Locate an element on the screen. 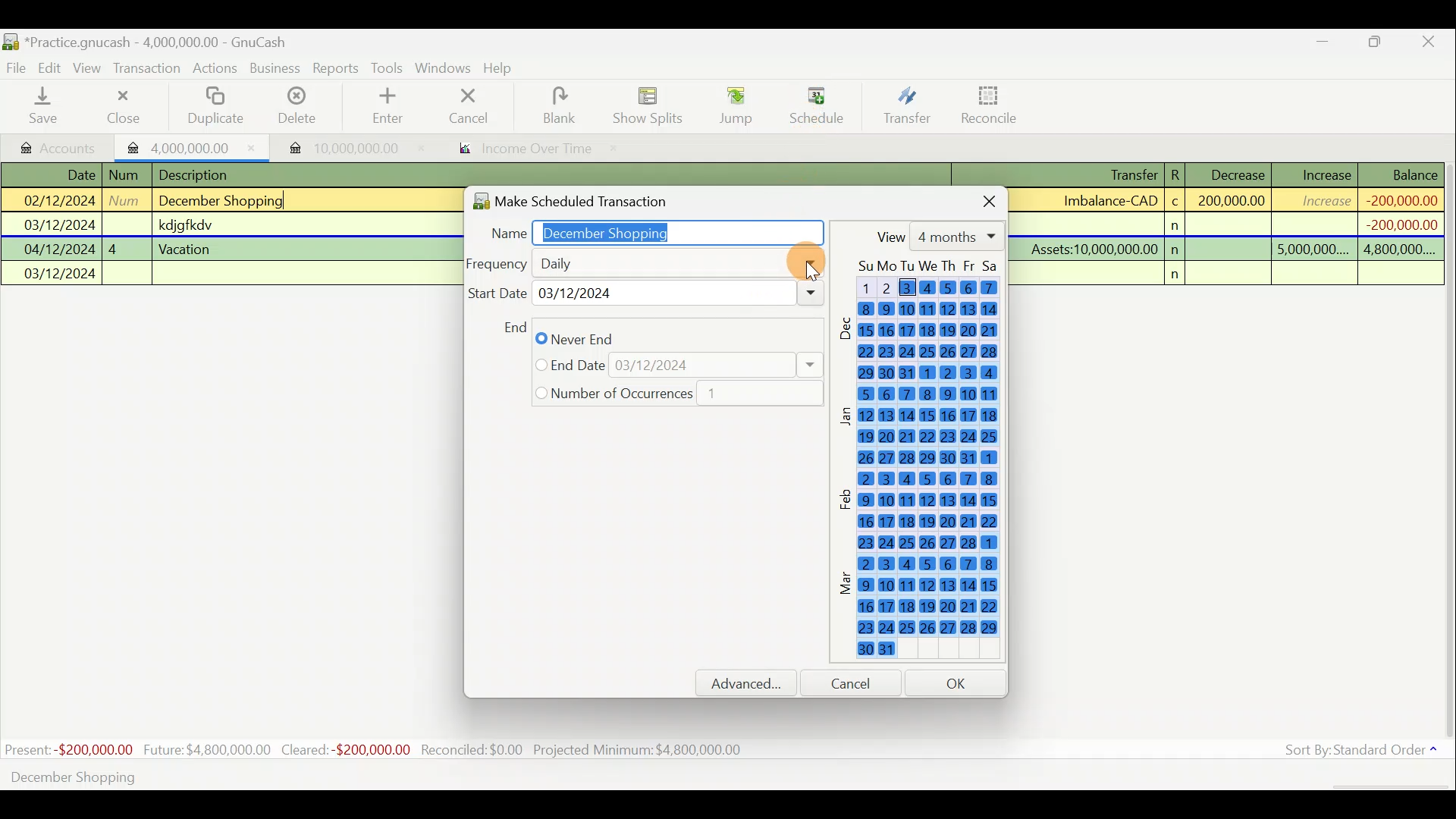 This screenshot has height=819, width=1456. Calendar is located at coordinates (925, 463).